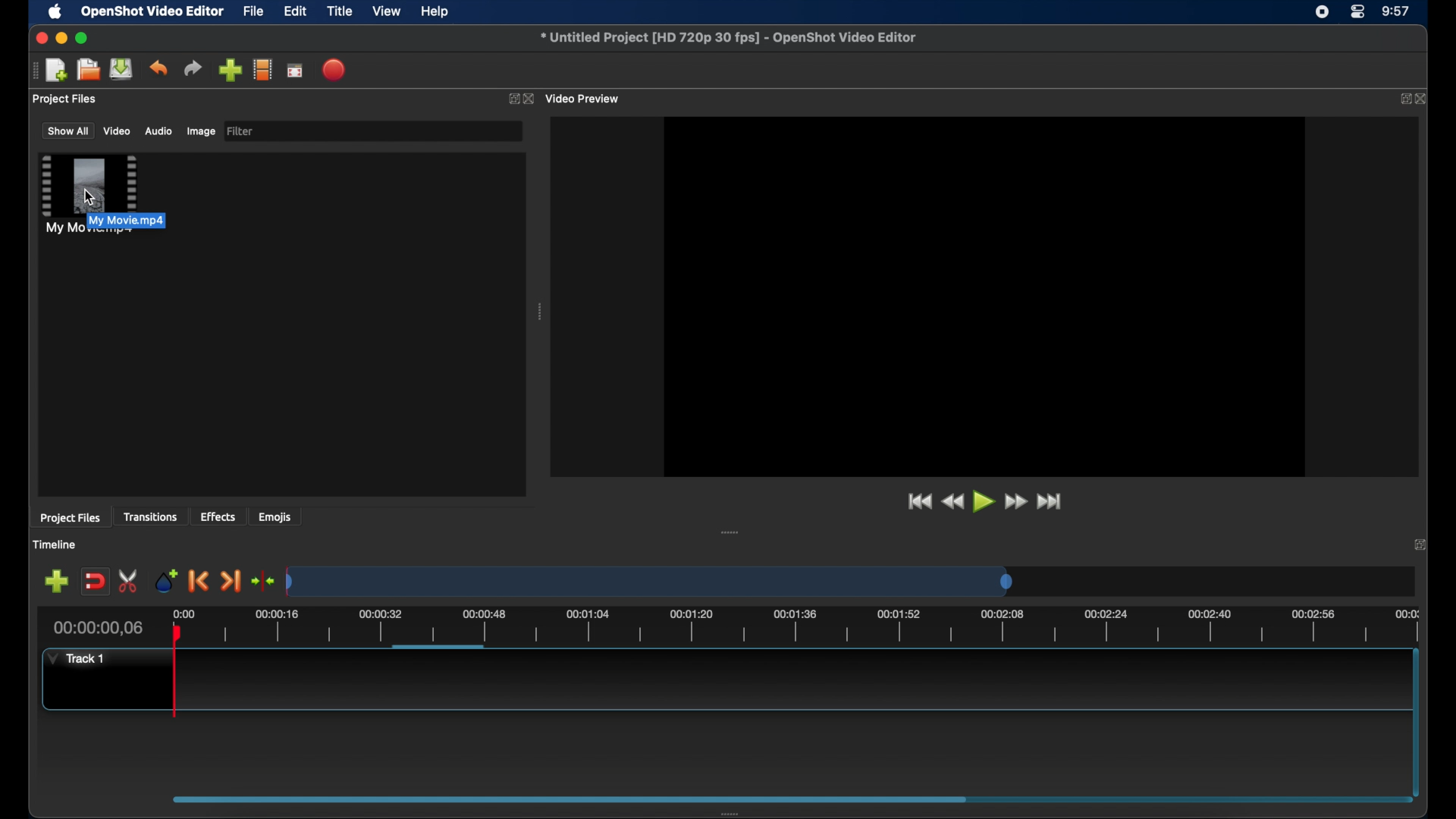  I want to click on edit, so click(295, 12).